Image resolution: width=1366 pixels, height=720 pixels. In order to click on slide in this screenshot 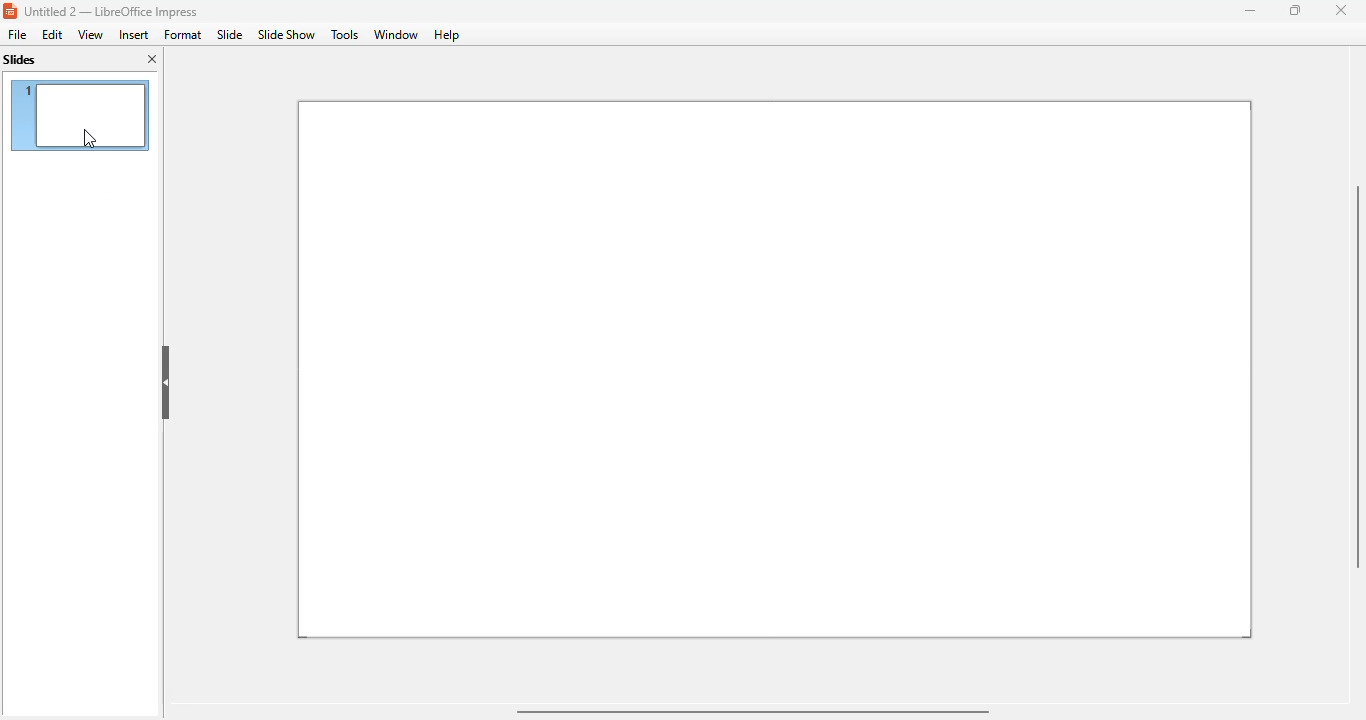, I will do `click(230, 34)`.